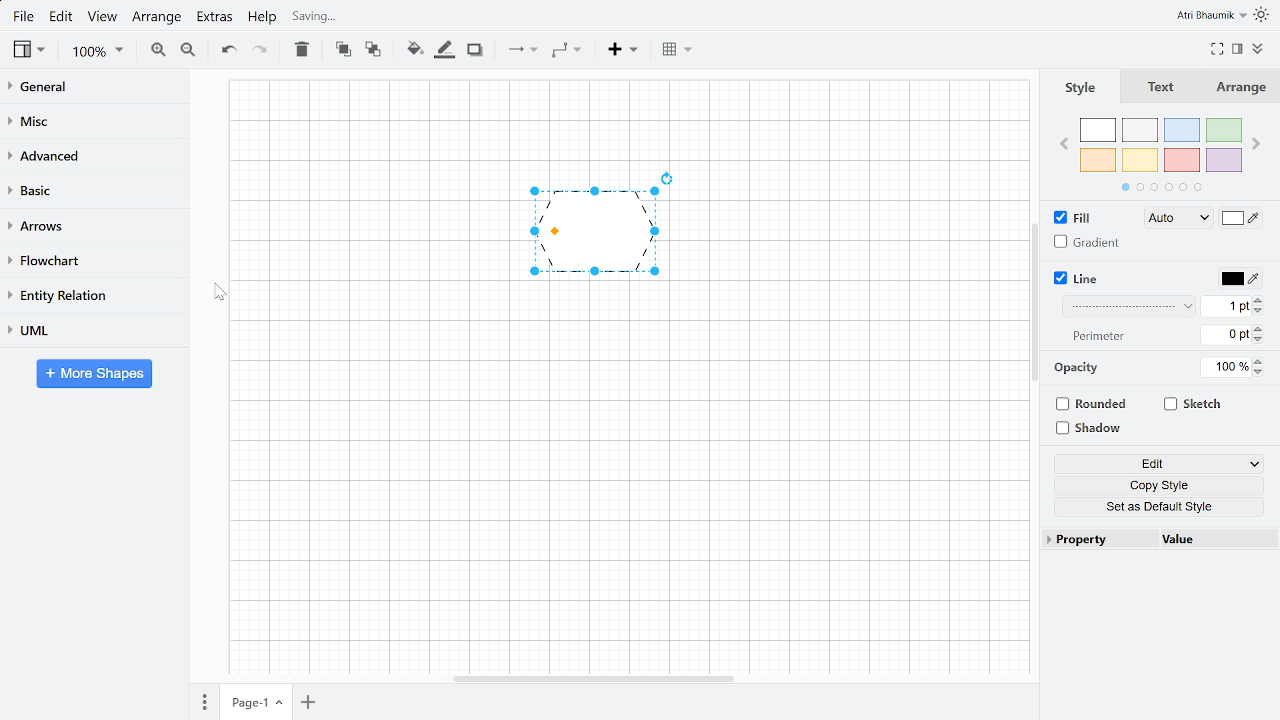 This screenshot has width=1280, height=720. I want to click on File, so click(25, 17).